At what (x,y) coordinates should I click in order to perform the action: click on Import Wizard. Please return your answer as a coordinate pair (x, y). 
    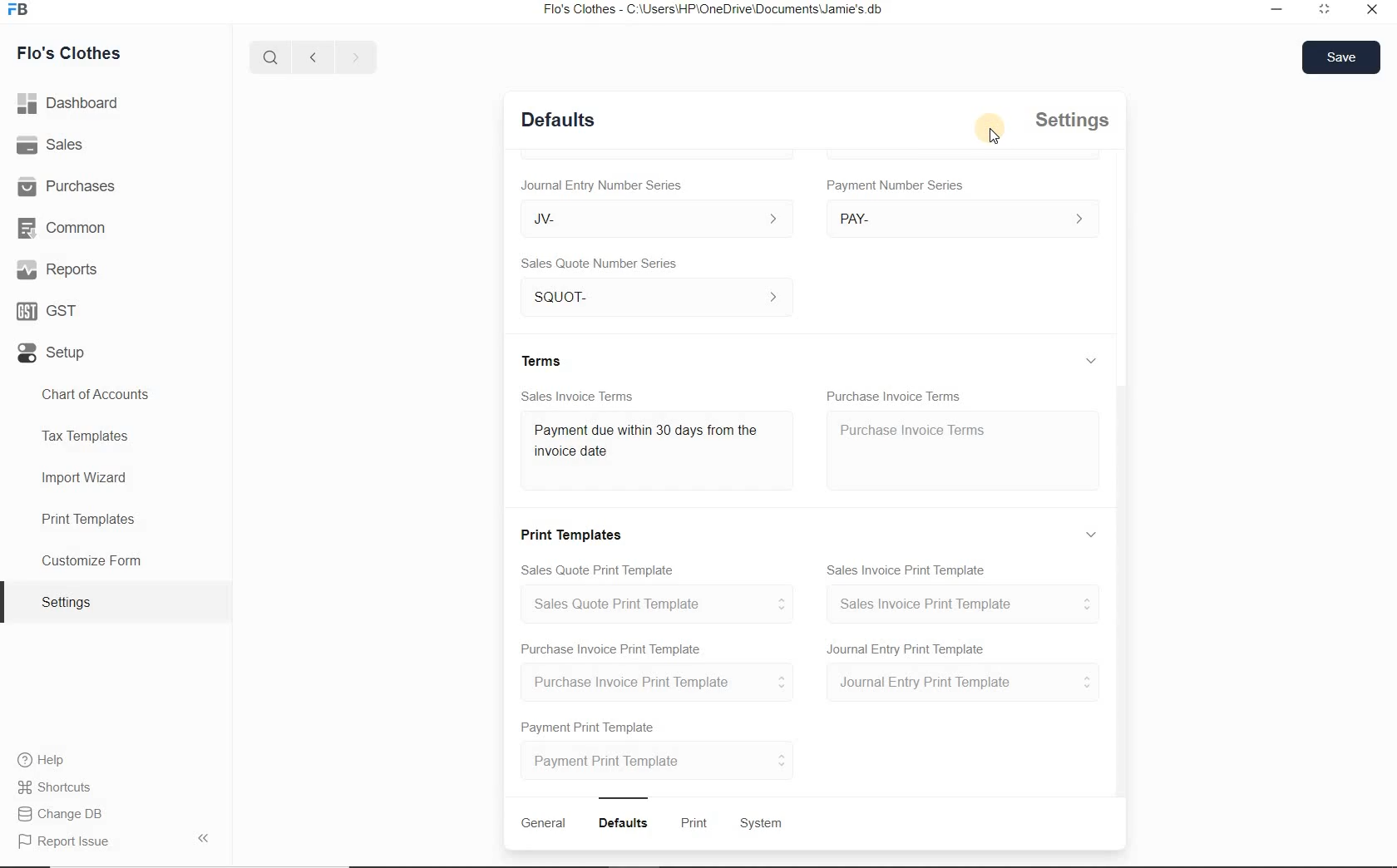
    Looking at the image, I should click on (115, 479).